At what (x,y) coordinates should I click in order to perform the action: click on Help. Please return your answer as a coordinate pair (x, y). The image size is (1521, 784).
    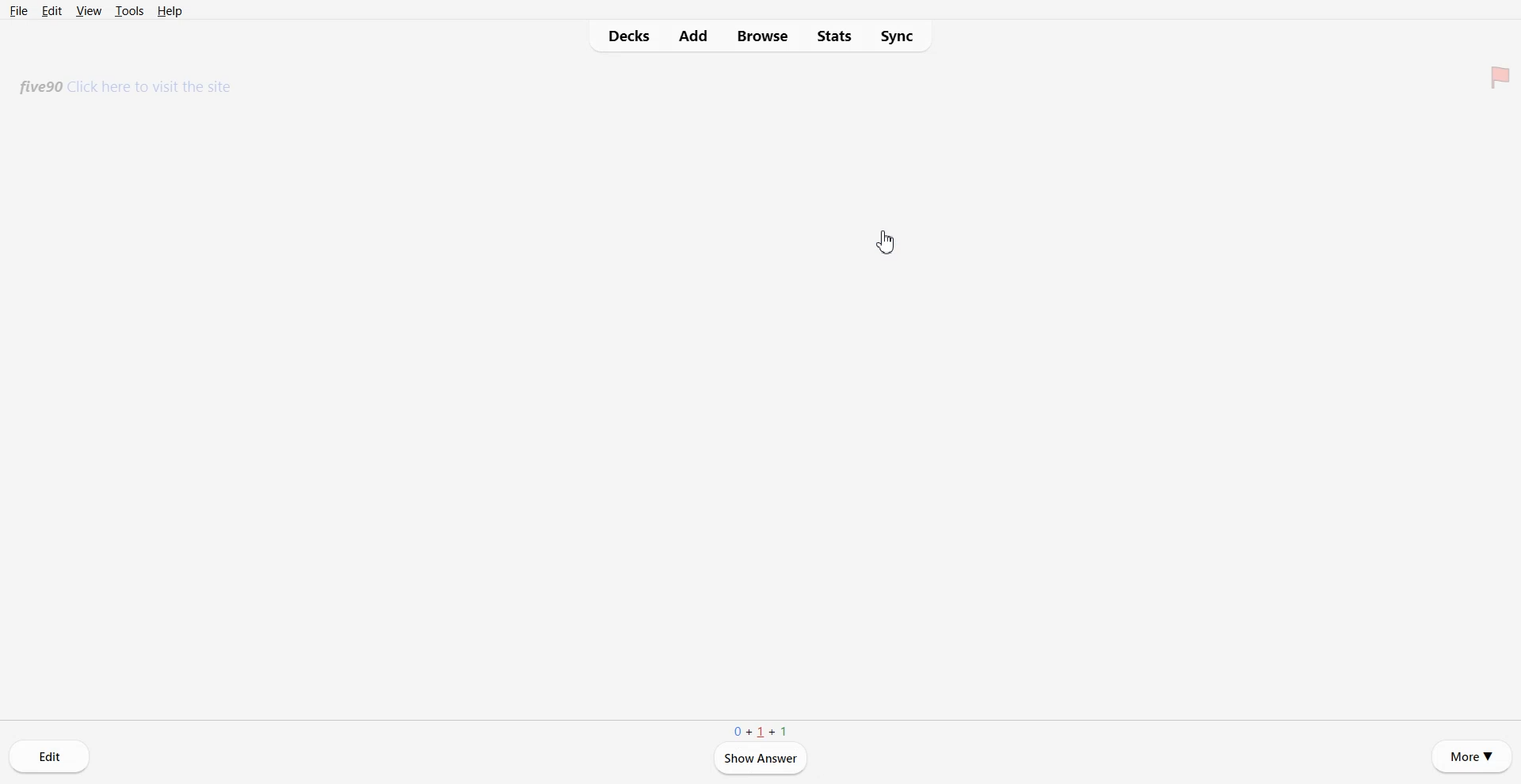
    Looking at the image, I should click on (169, 10).